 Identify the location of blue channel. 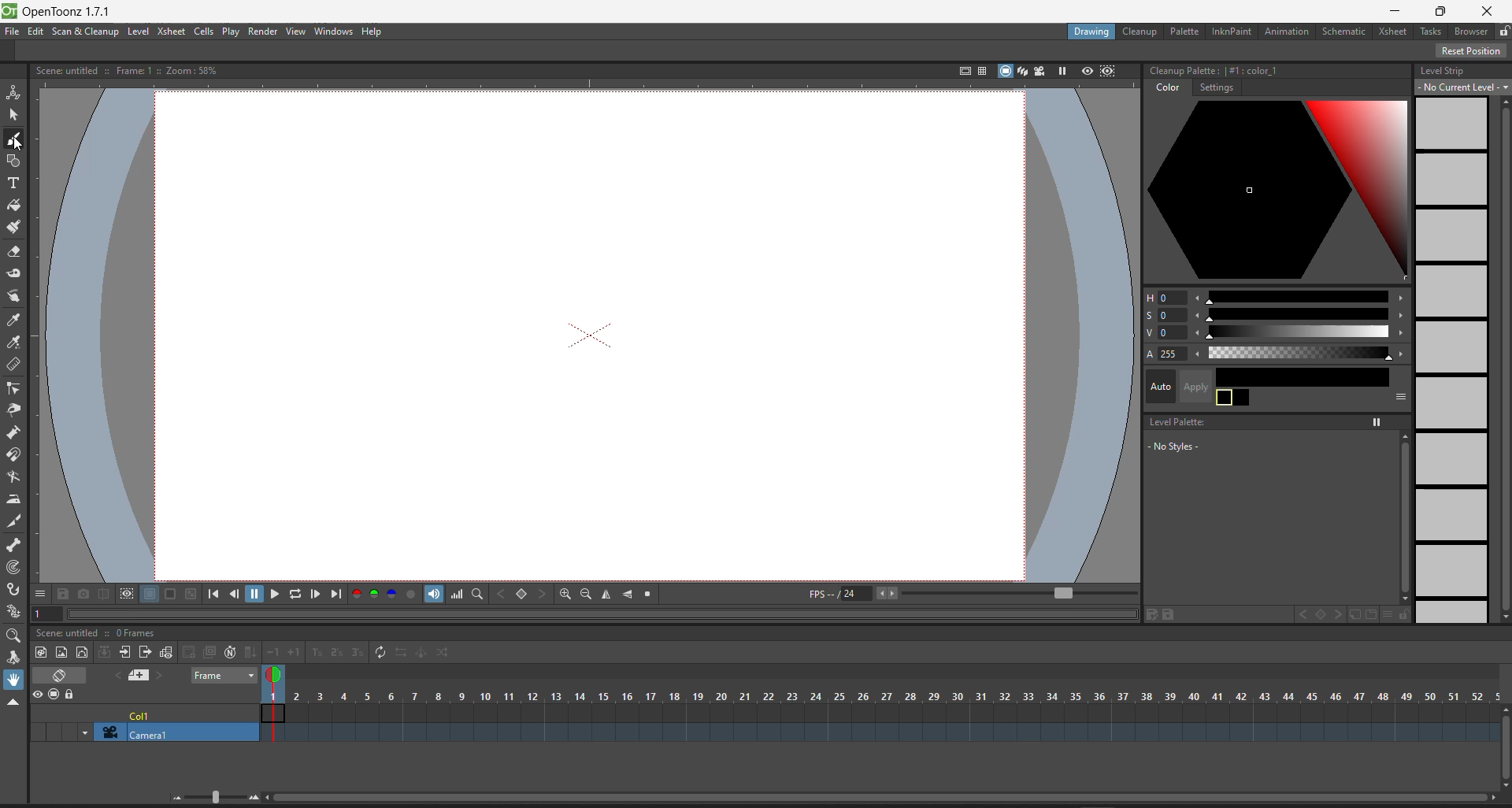
(391, 594).